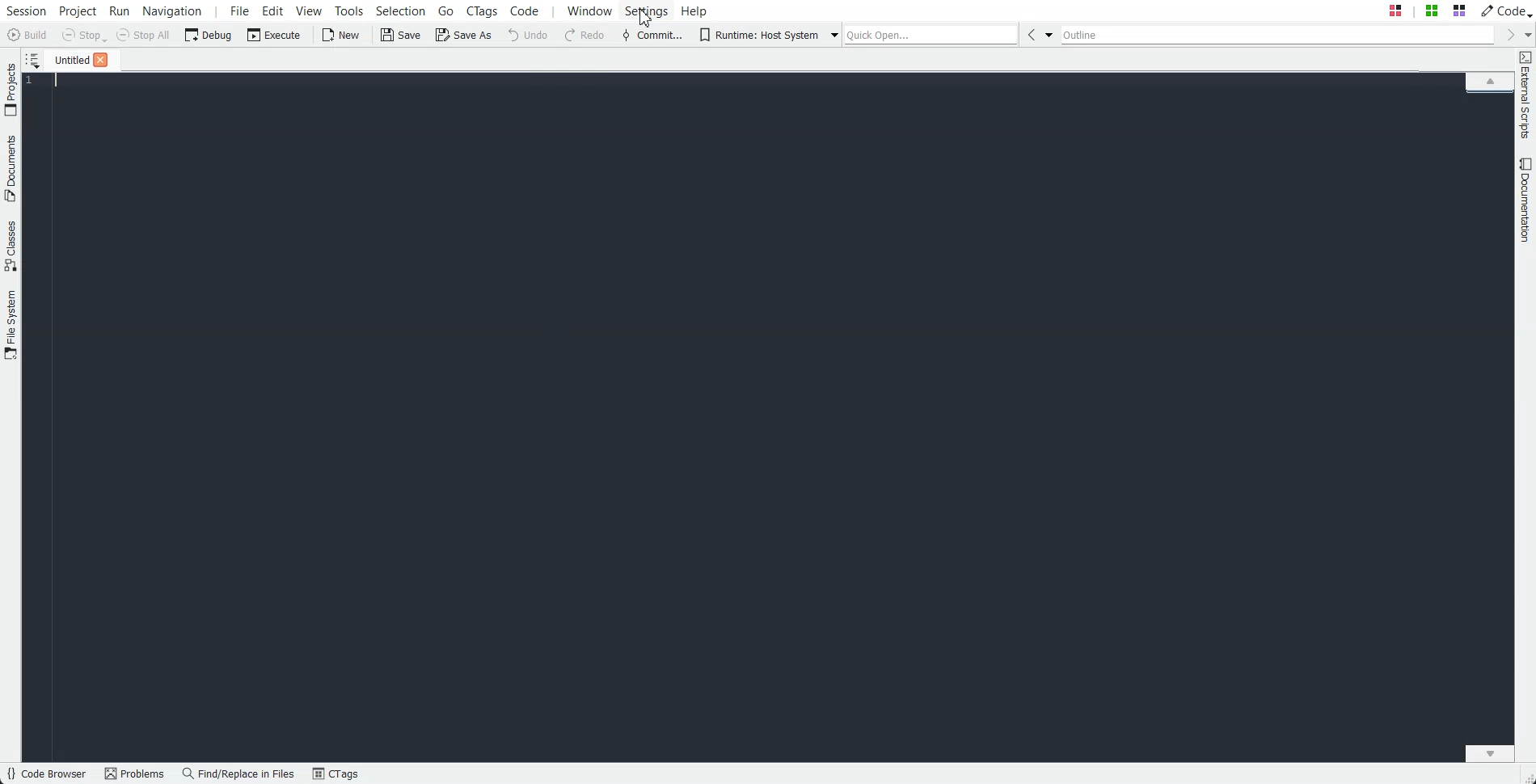 The image size is (1536, 784). What do you see at coordinates (239, 773) in the screenshot?
I see `Find/Replace in files` at bounding box center [239, 773].